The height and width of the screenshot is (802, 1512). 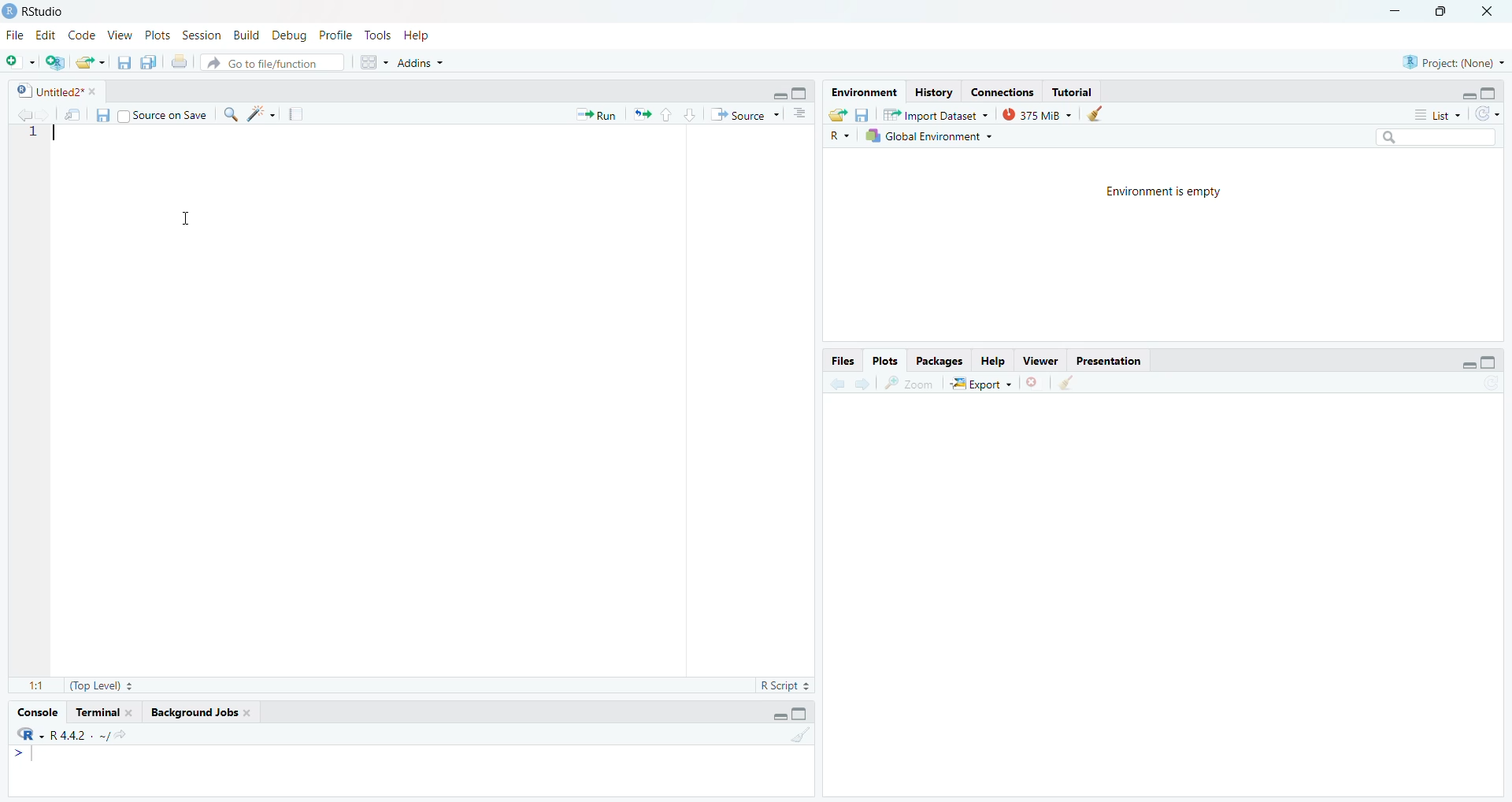 I want to click on Environment is empty, so click(x=1166, y=195).